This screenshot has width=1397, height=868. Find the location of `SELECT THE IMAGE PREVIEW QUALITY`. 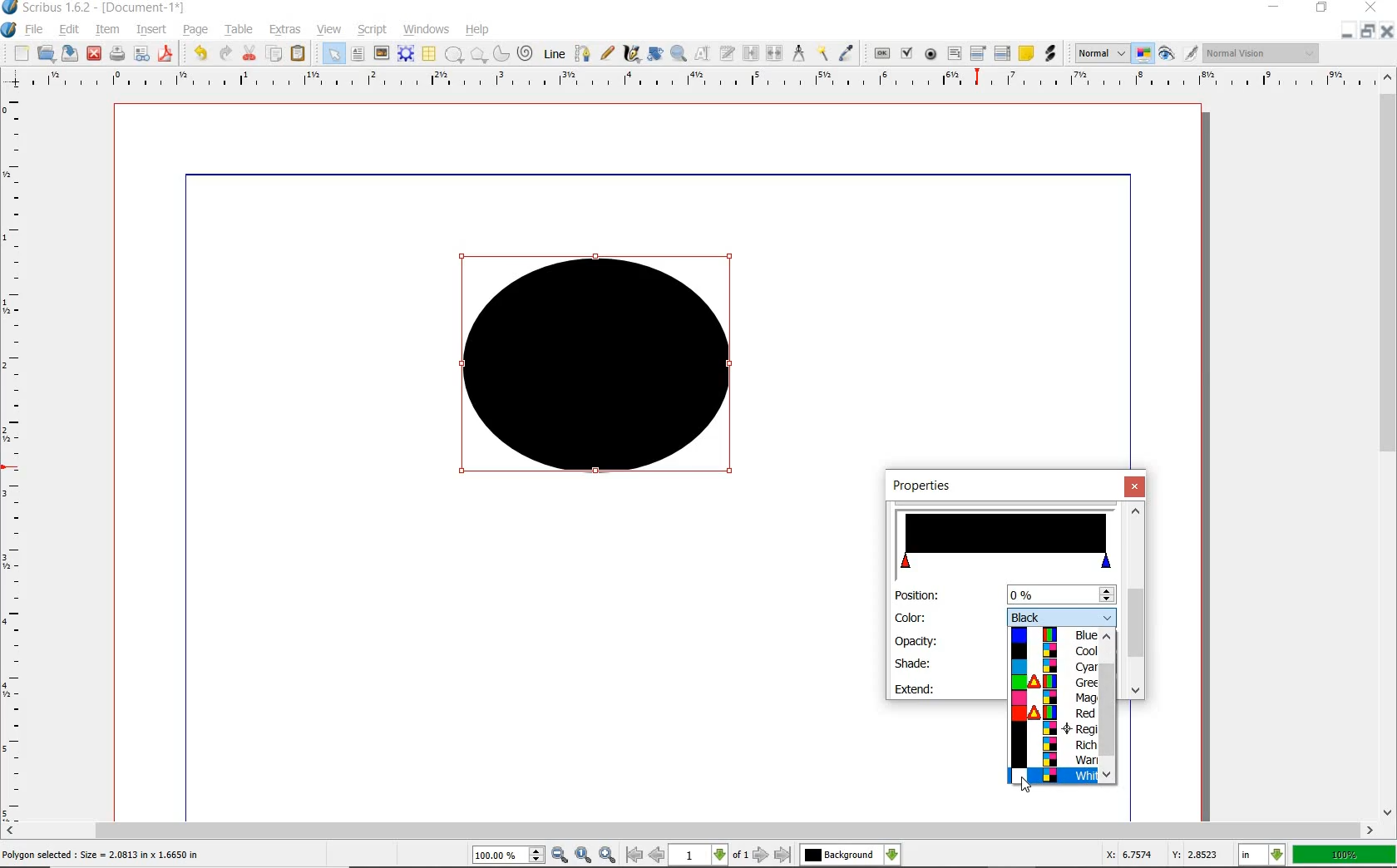

SELECT THE IMAGE PREVIEW QUALITY is located at coordinates (1102, 53).